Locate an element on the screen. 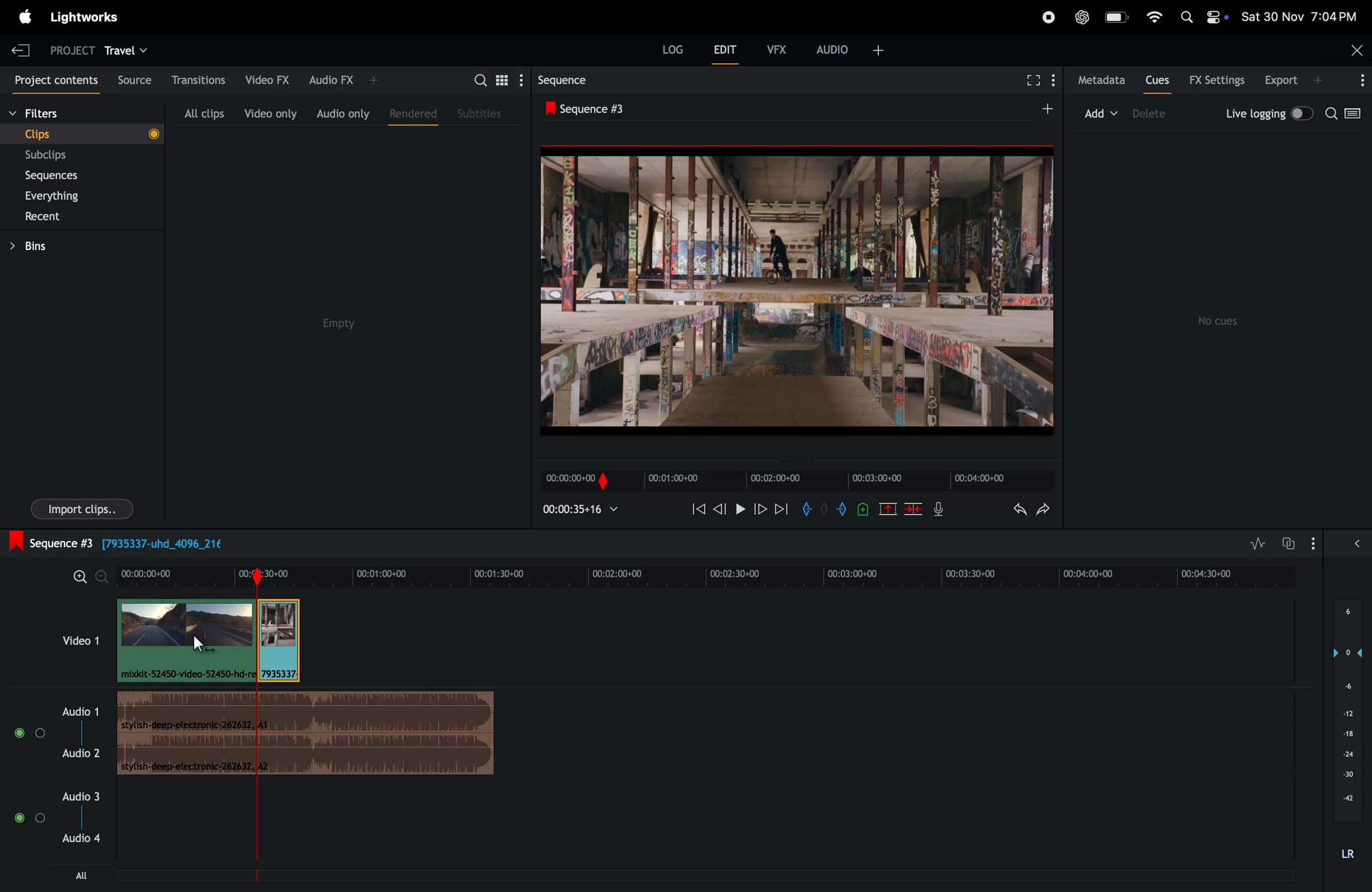 The image size is (1372, 892). -6 (layers) is located at coordinates (1344, 689).